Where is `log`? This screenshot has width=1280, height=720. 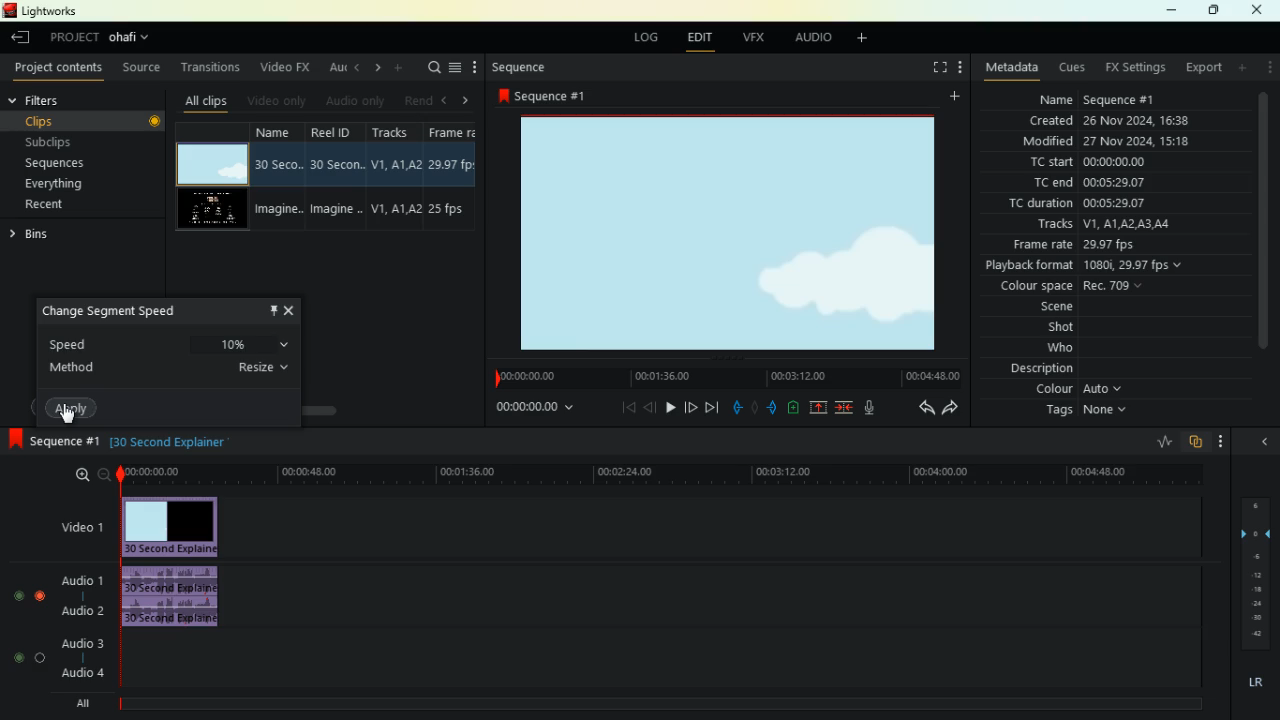
log is located at coordinates (649, 38).